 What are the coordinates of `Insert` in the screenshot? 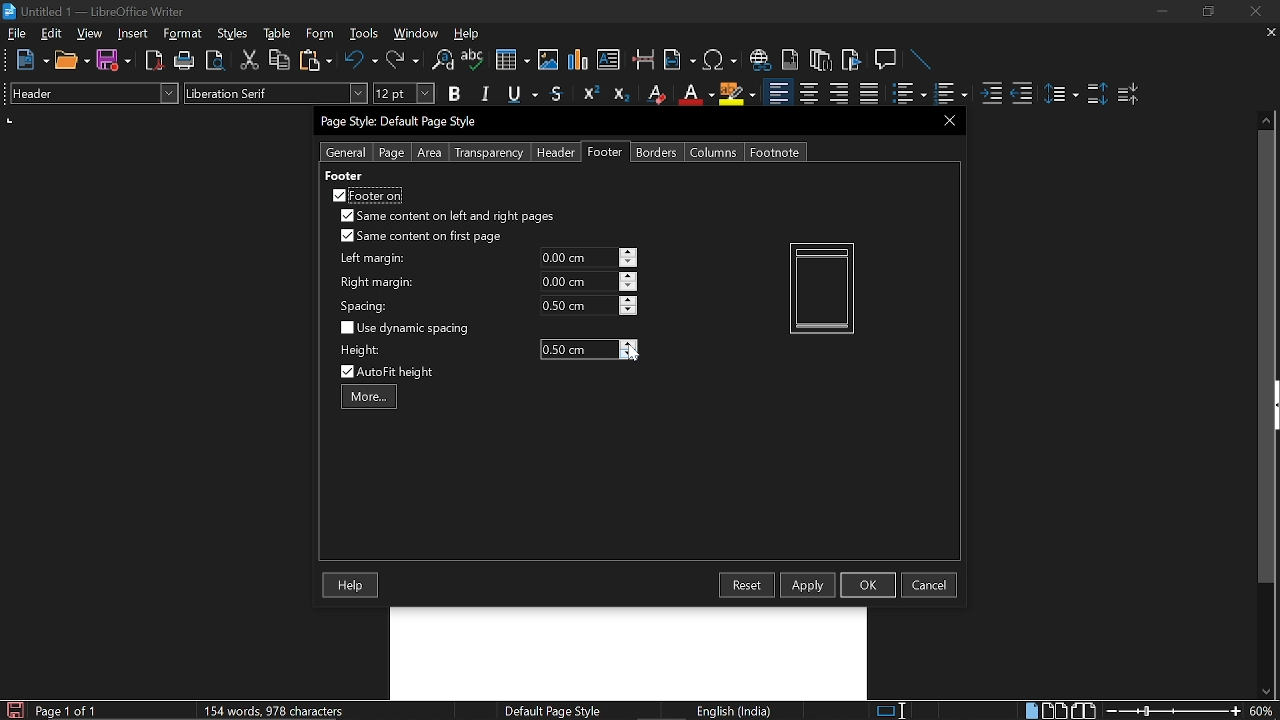 It's located at (137, 33).